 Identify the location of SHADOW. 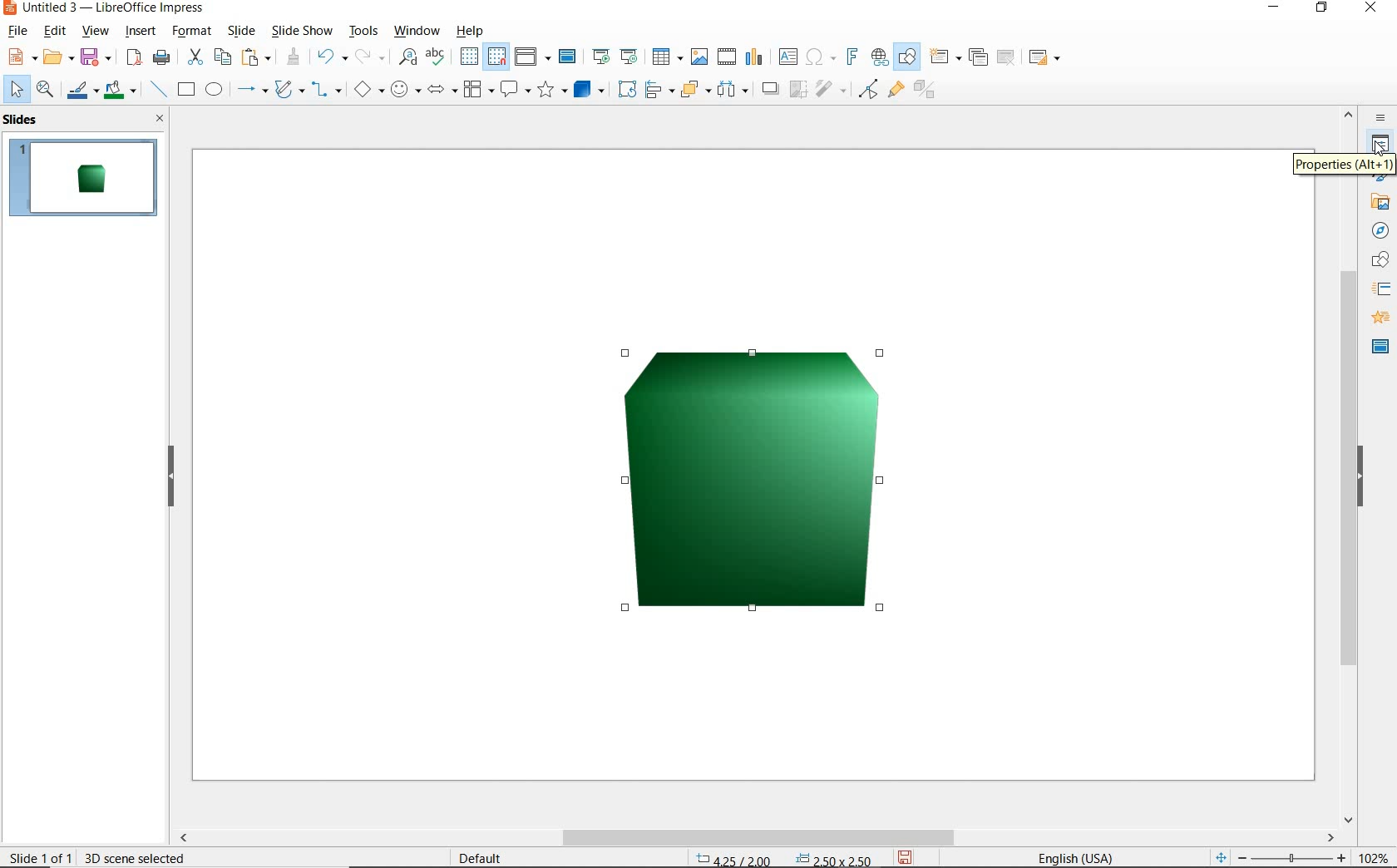
(773, 91).